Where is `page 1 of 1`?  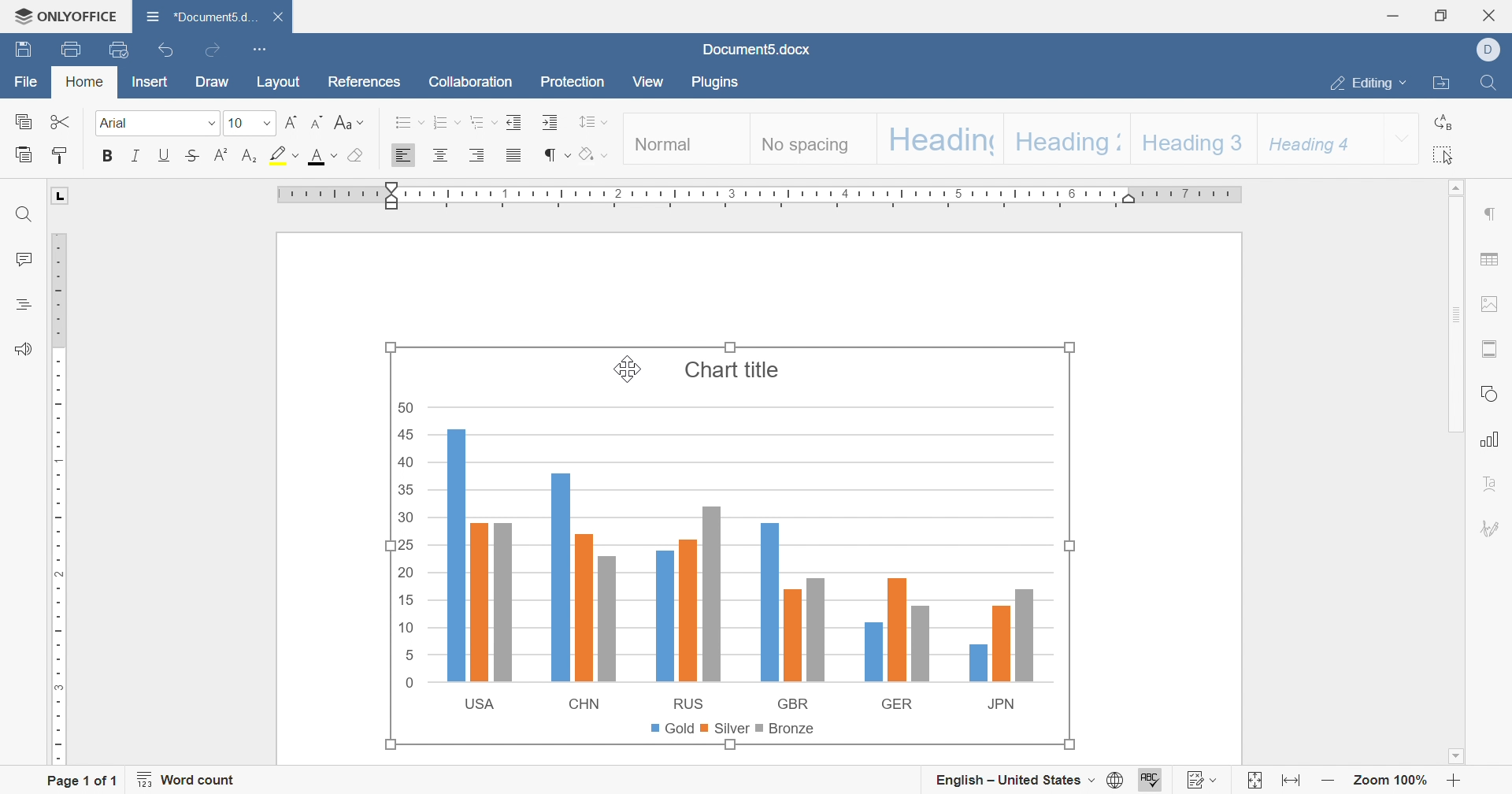 page 1 of 1 is located at coordinates (83, 783).